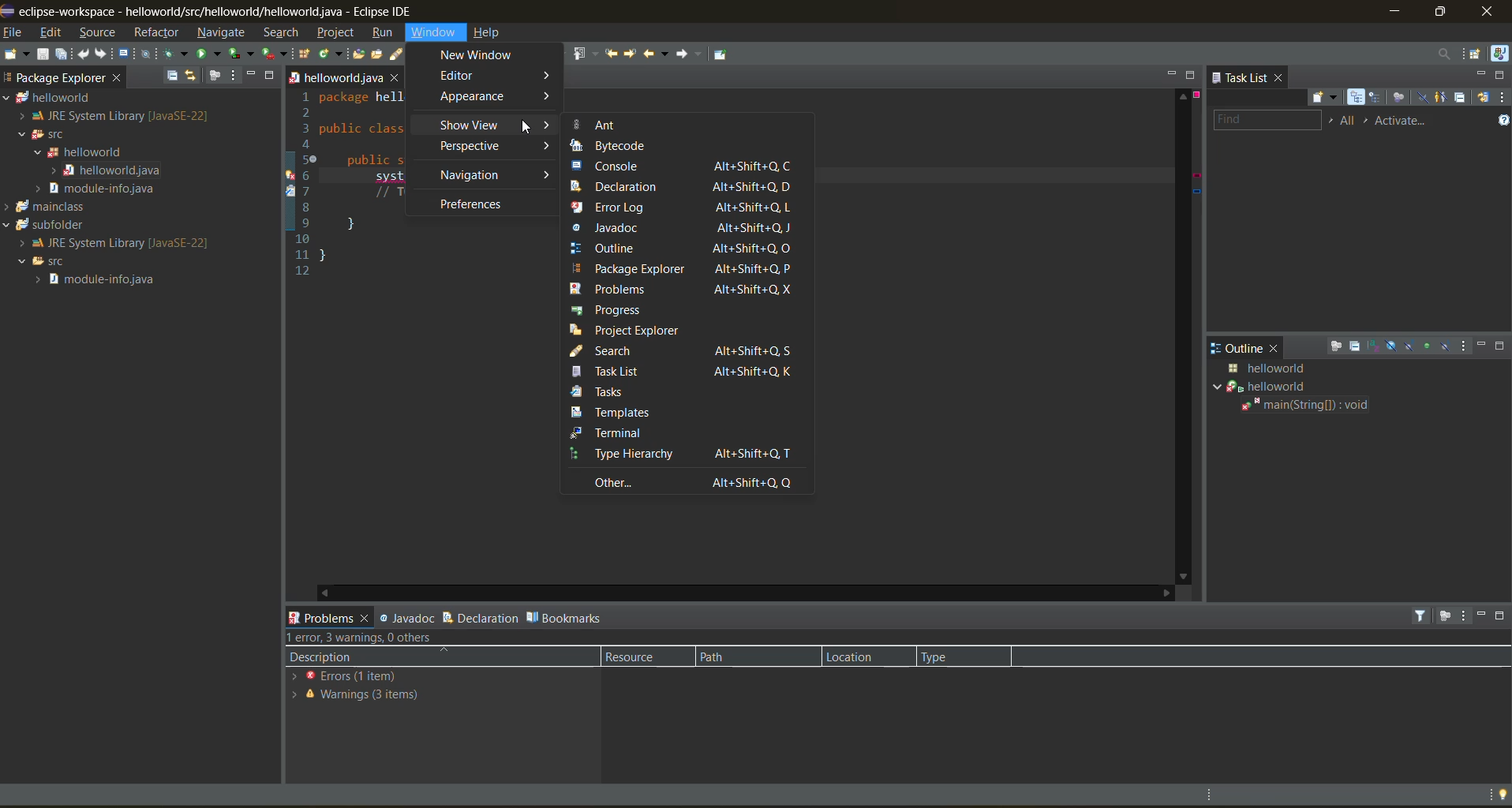 Image resolution: width=1512 pixels, height=808 pixels. Describe the element at coordinates (688, 165) in the screenshot. I see `console` at that location.